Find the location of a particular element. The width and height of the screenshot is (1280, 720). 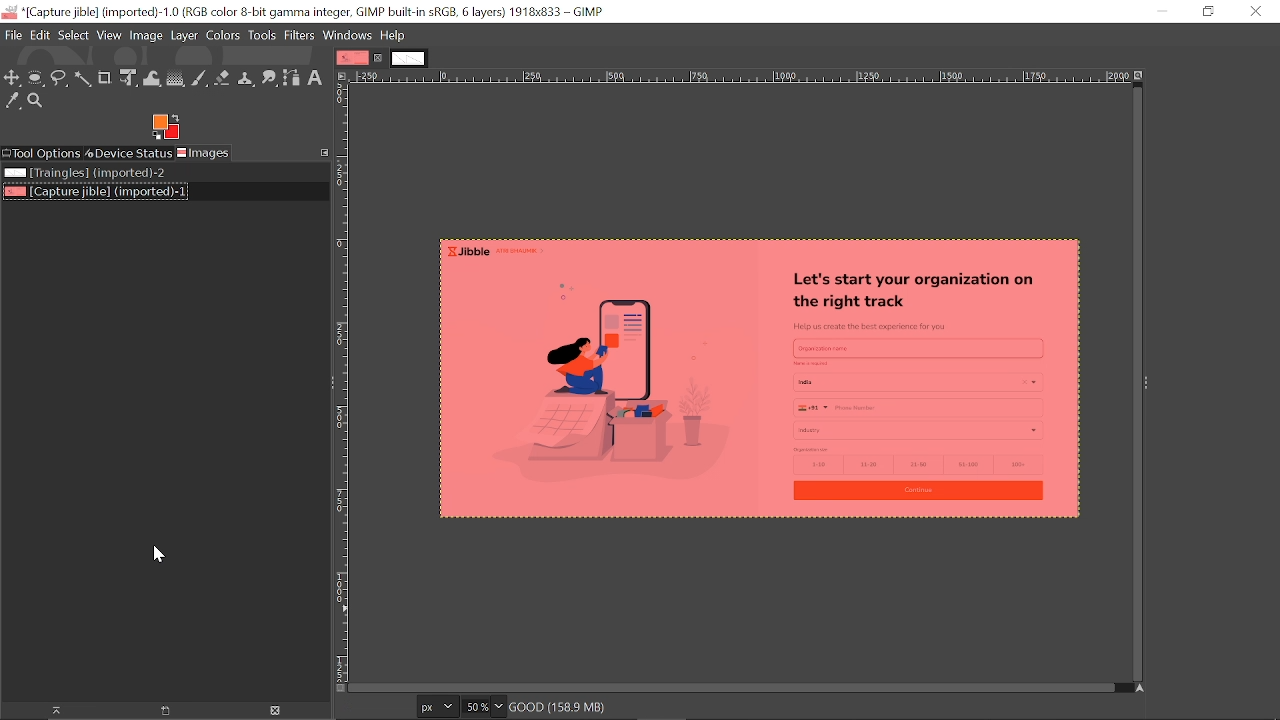

Toggle quick mask on/off is located at coordinates (339, 688).